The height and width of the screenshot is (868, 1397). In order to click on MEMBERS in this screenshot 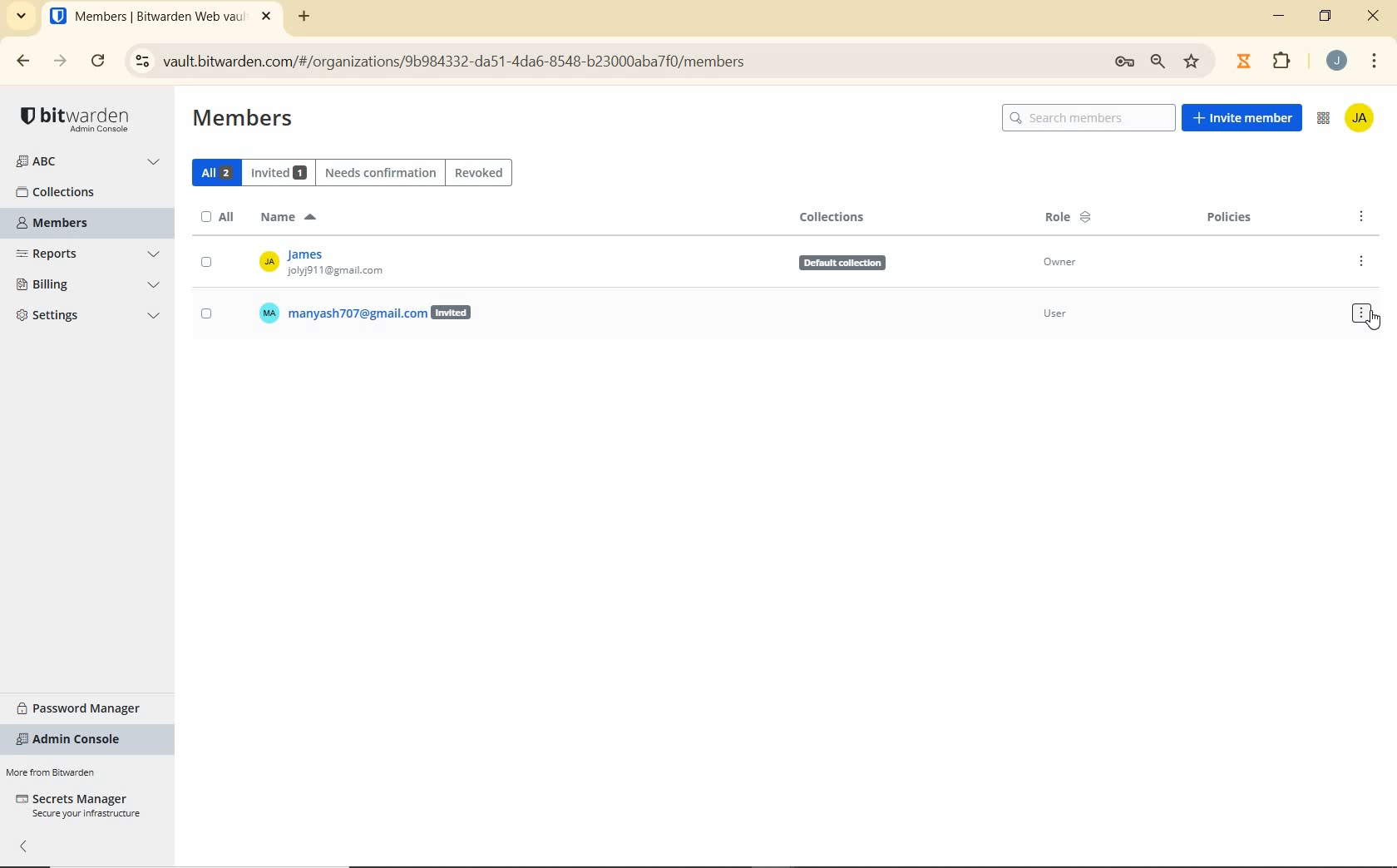, I will do `click(243, 120)`.